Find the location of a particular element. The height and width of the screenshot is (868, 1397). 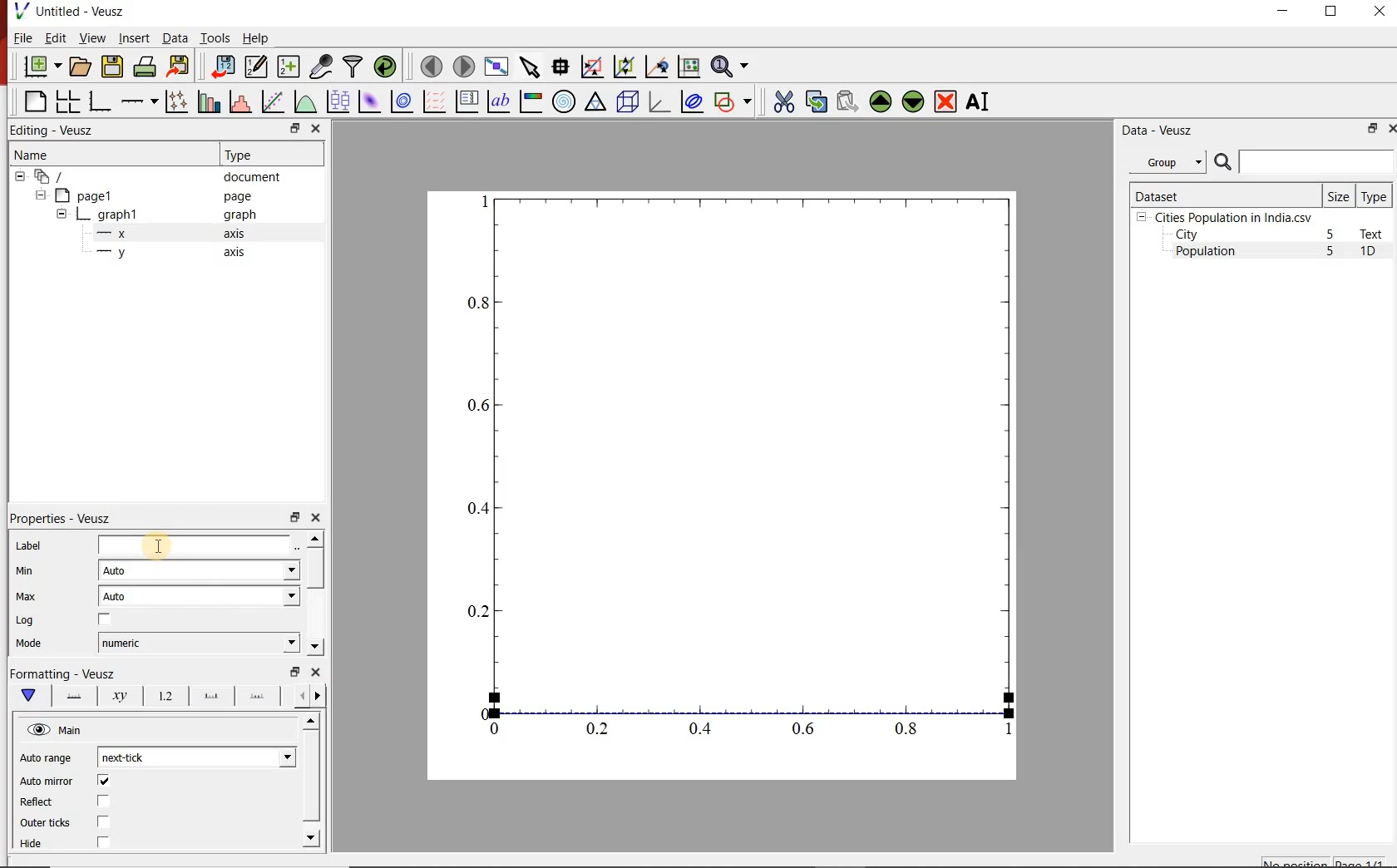

Auto range is located at coordinates (47, 758).